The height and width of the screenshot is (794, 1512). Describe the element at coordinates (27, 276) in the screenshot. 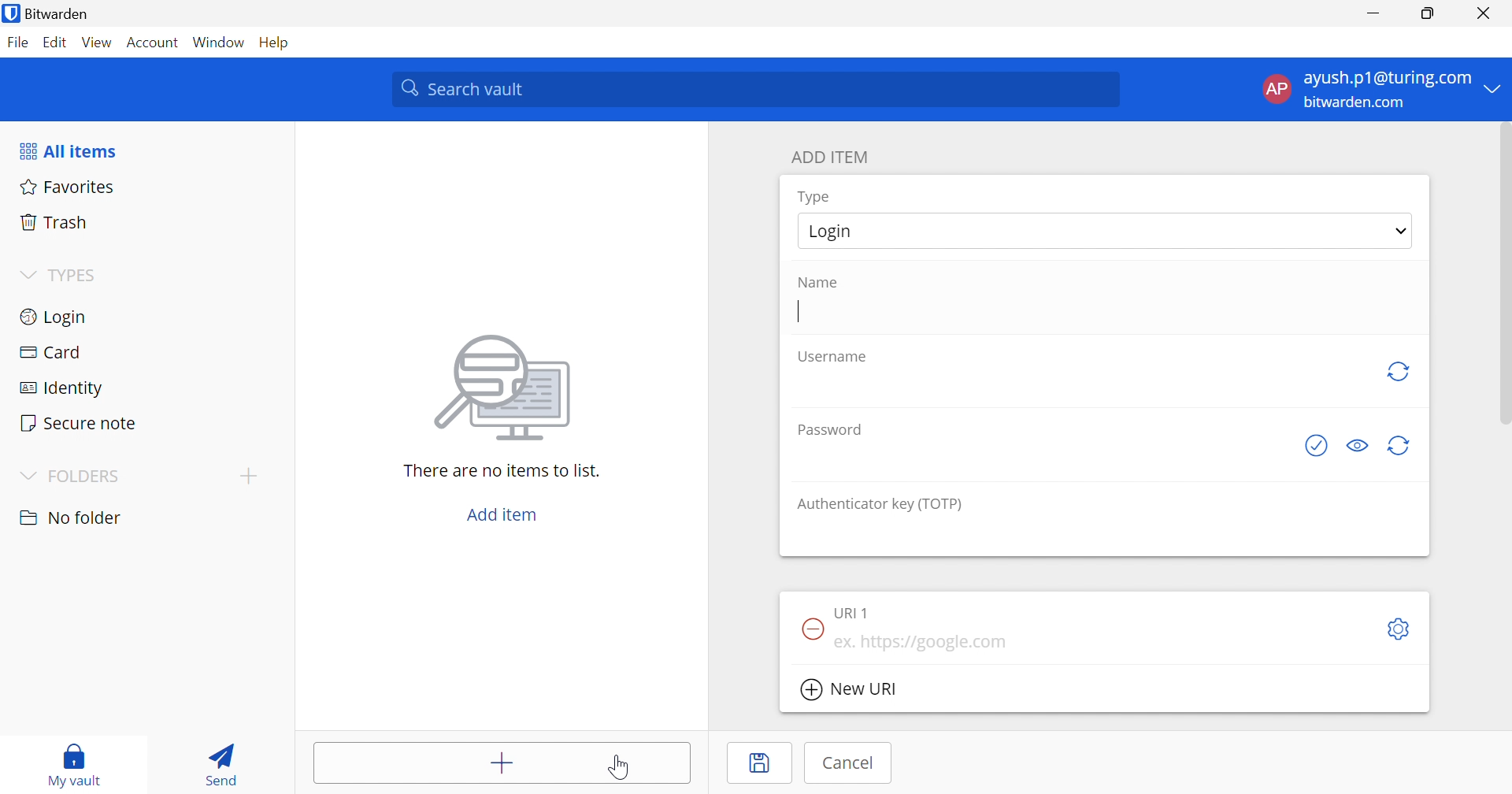

I see `Drop Down` at that location.